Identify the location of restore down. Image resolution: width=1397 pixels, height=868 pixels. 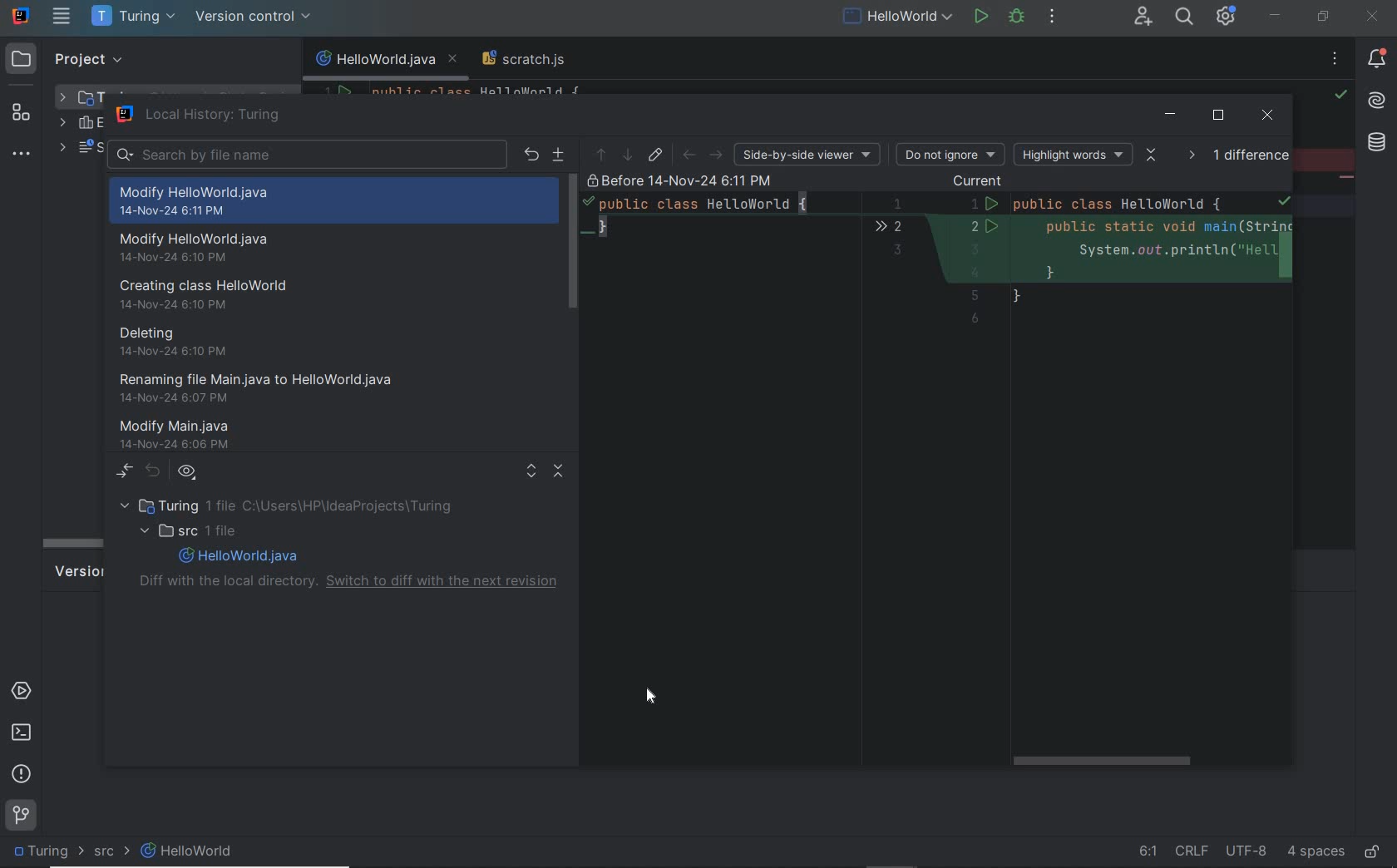
(1218, 116).